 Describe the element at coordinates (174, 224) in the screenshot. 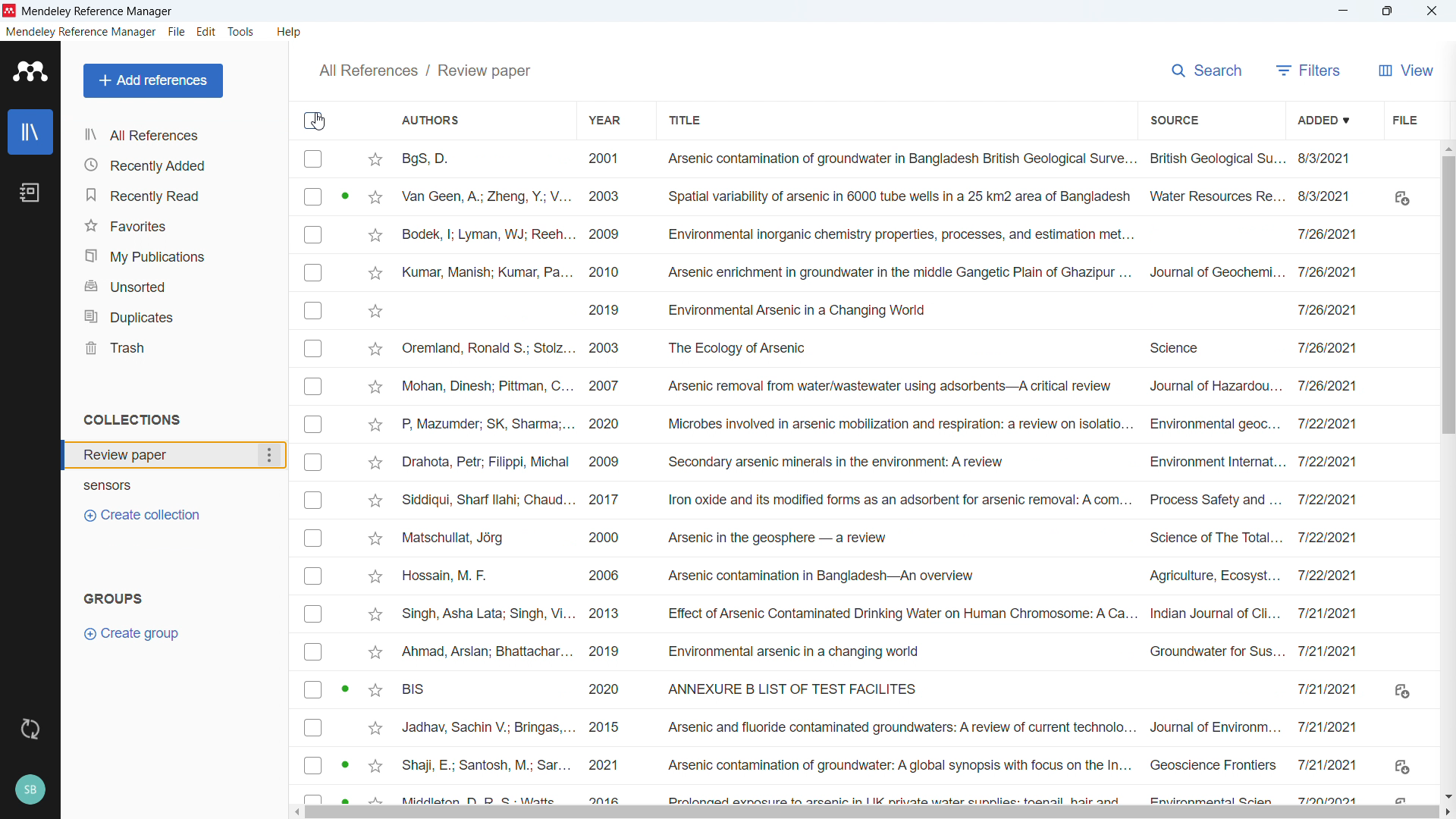

I see `Favourites ` at that location.